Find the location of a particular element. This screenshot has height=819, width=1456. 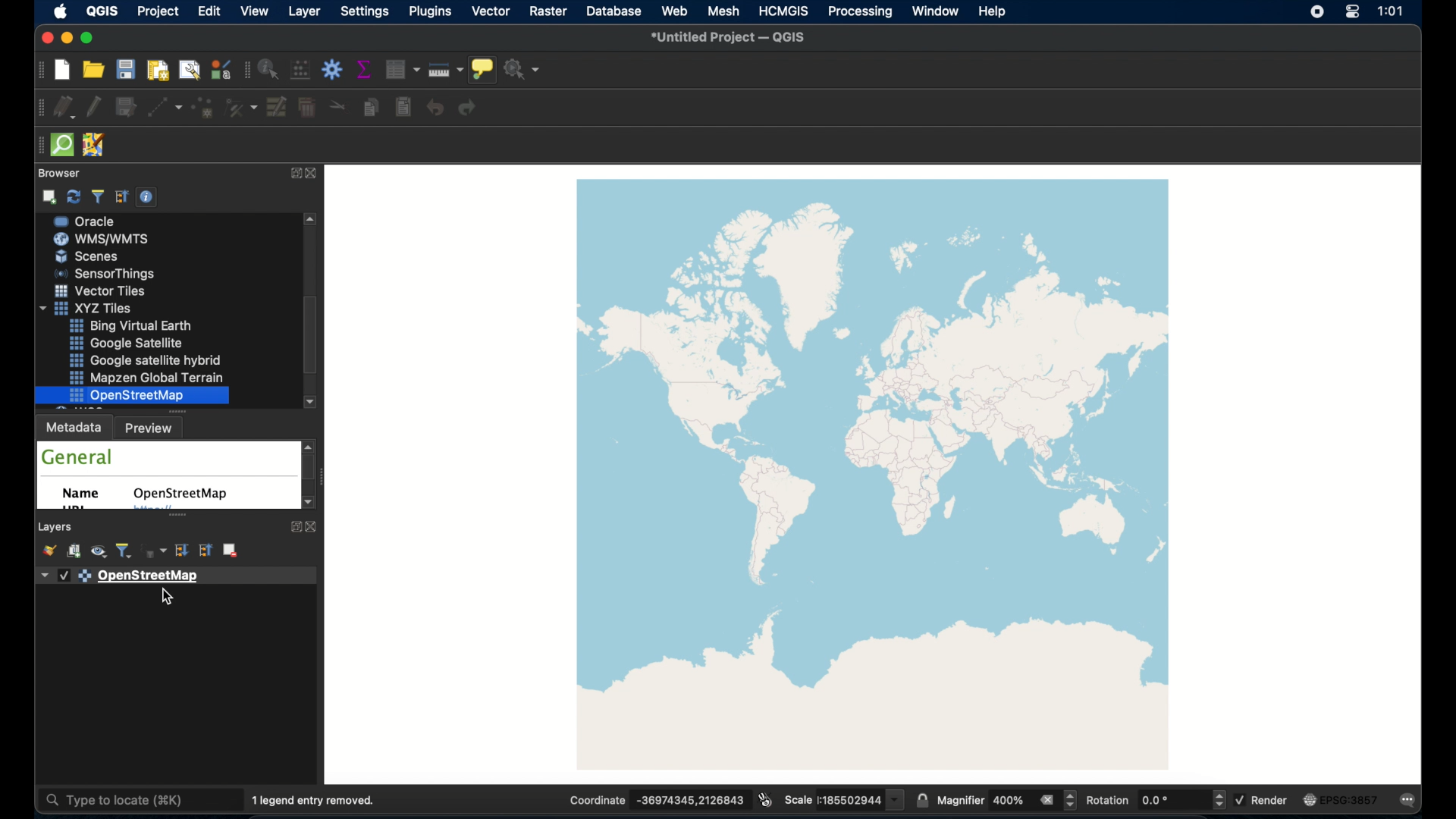

vertex tool is located at coordinates (241, 107).